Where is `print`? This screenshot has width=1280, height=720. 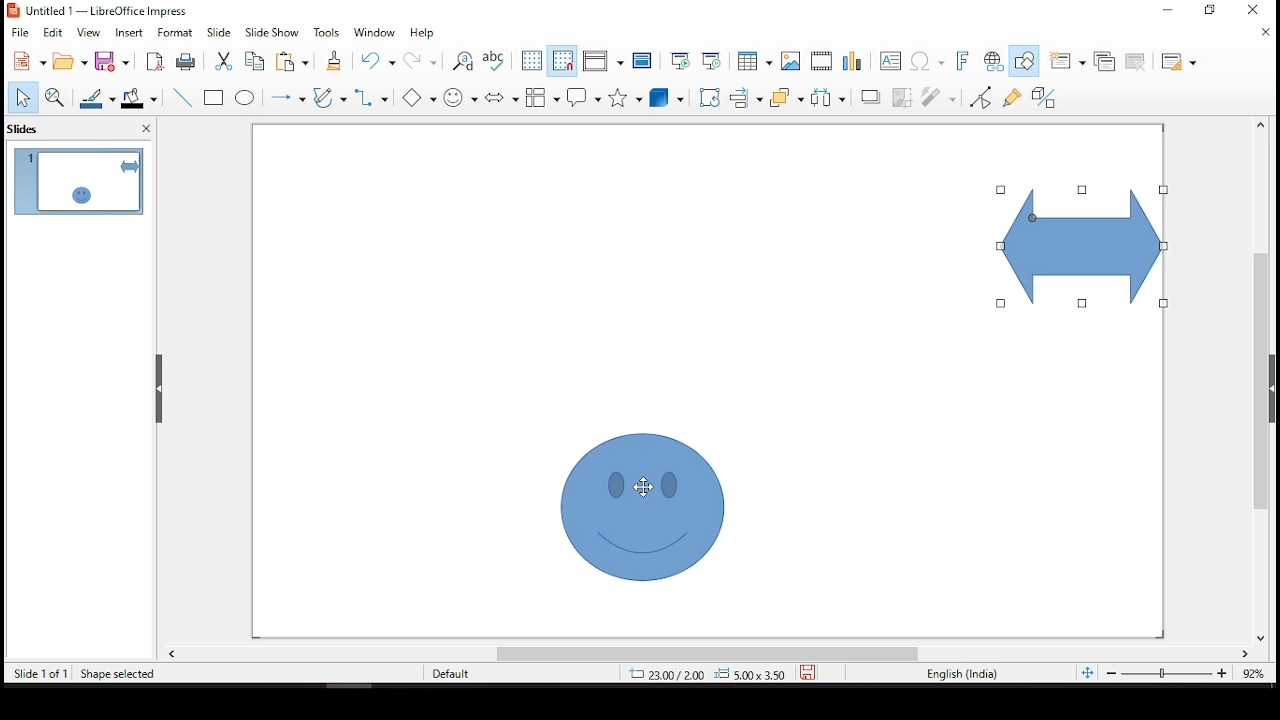
print is located at coordinates (184, 63).